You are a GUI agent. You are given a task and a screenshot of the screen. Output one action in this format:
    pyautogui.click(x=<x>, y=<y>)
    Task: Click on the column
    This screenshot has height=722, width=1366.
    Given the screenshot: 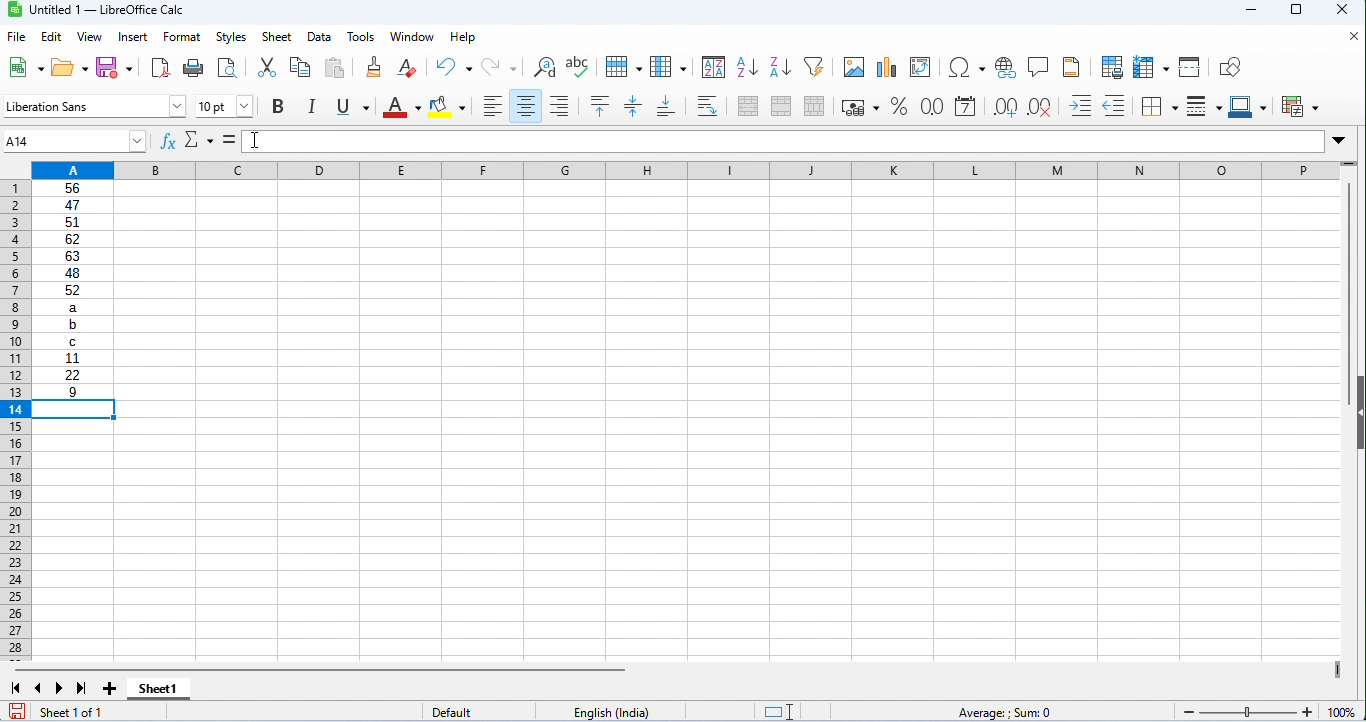 What is the action you would take?
    pyautogui.click(x=668, y=65)
    